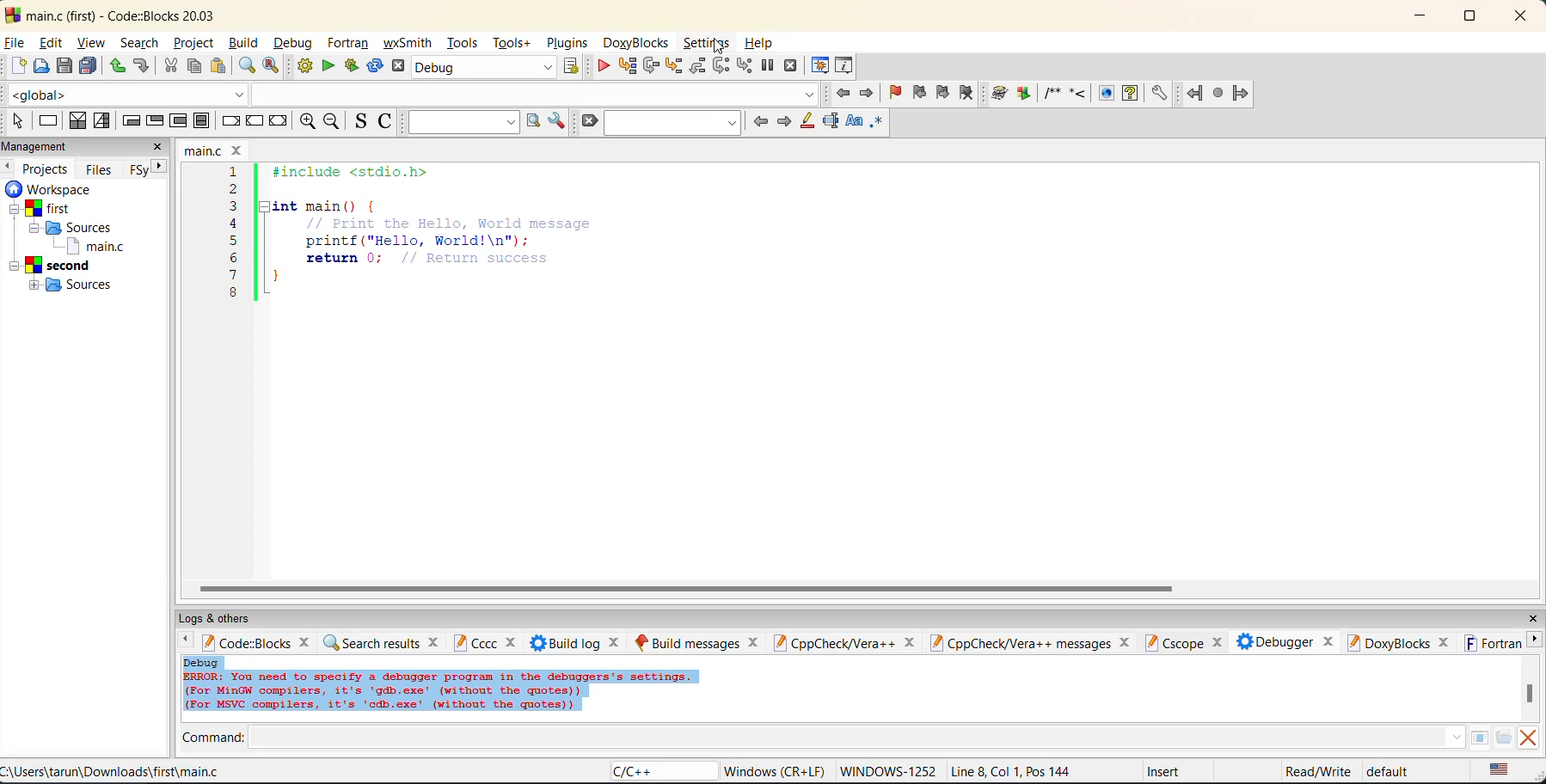  Describe the element at coordinates (353, 67) in the screenshot. I see `build and run` at that location.